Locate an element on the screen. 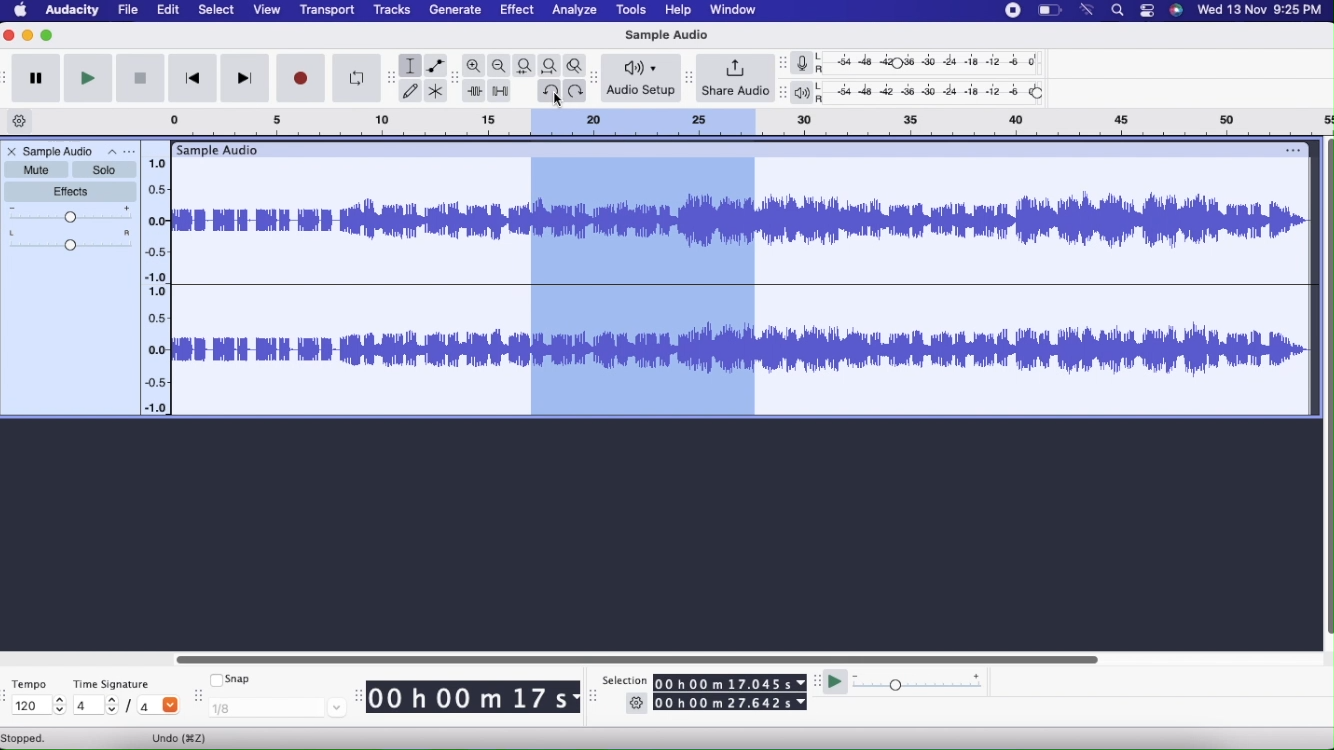 The width and height of the screenshot is (1334, 750). 1/8 is located at coordinates (277, 710).